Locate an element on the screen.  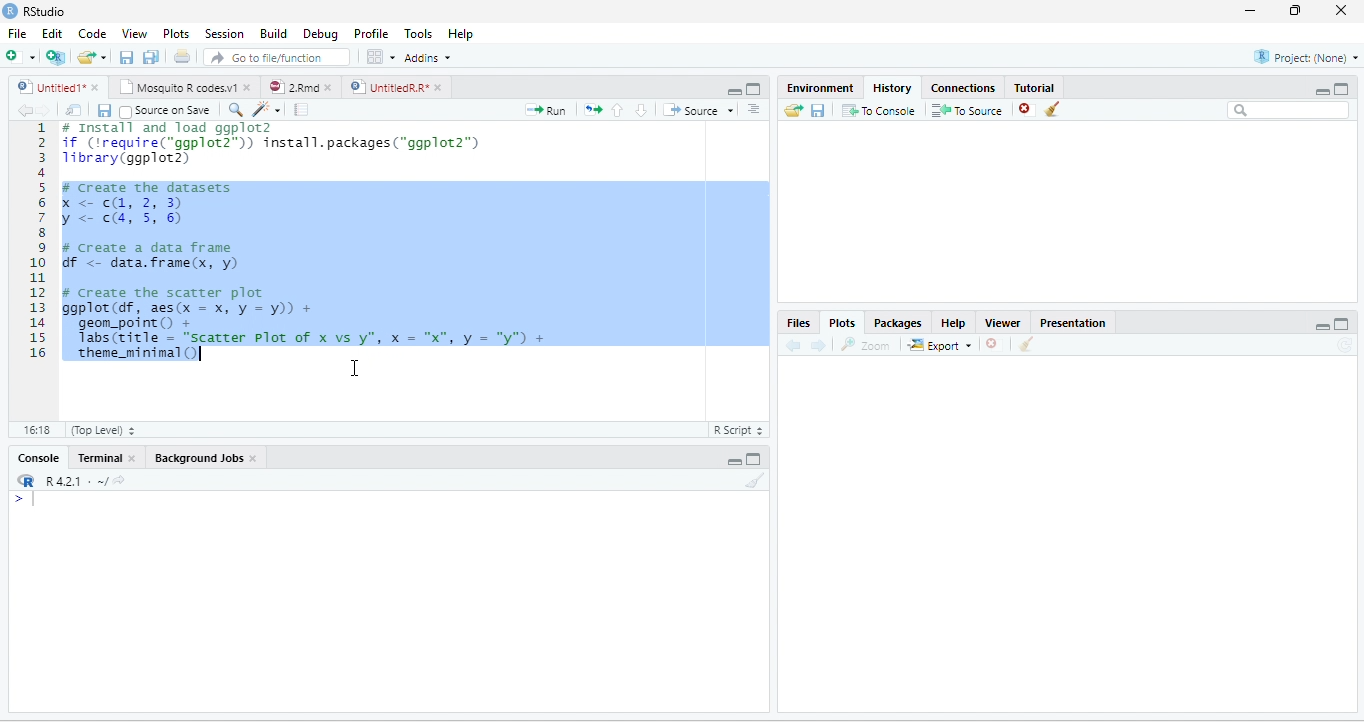
Save current document is located at coordinates (104, 111).